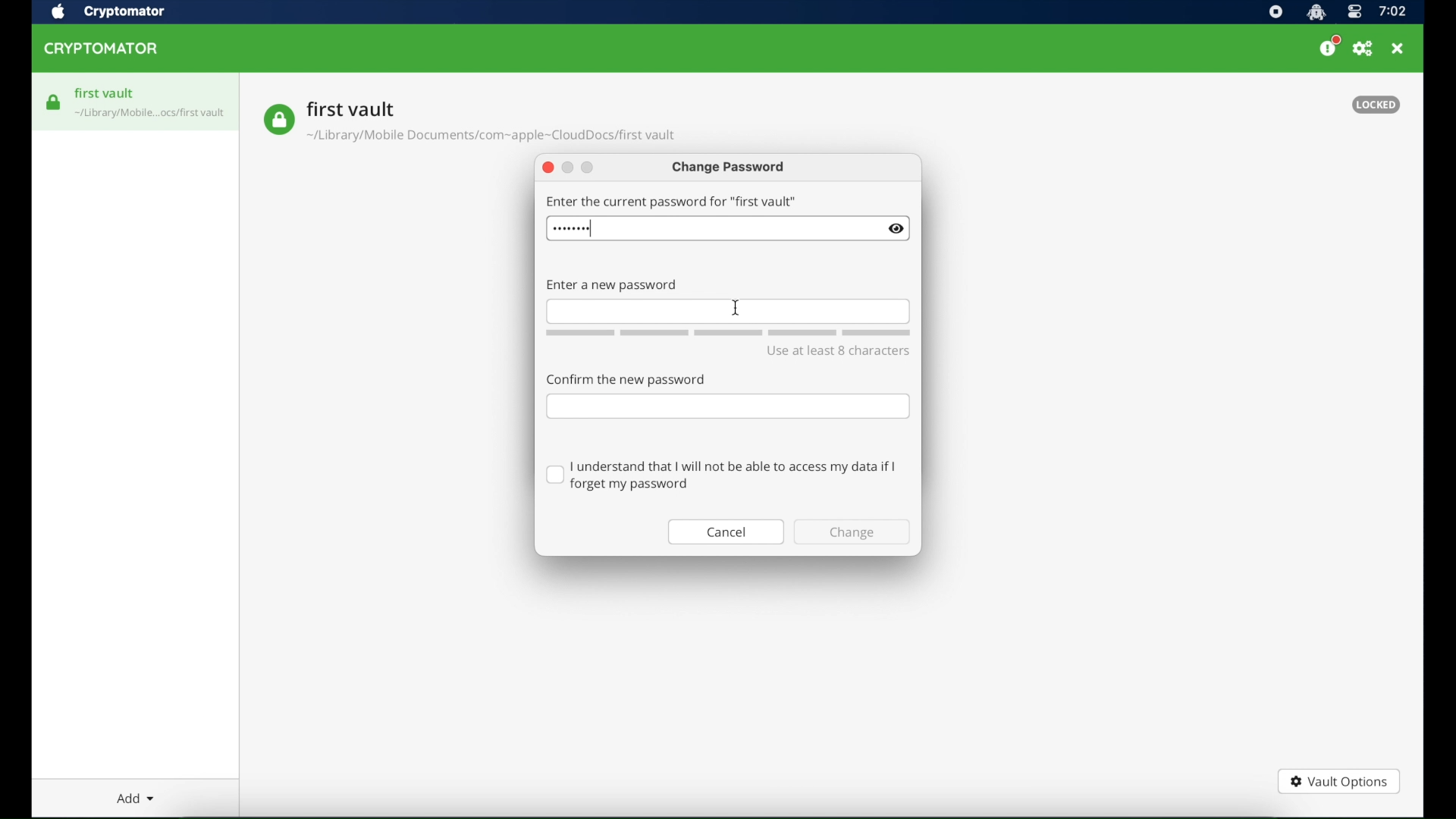 This screenshot has height=819, width=1456. I want to click on minimize, so click(569, 168).